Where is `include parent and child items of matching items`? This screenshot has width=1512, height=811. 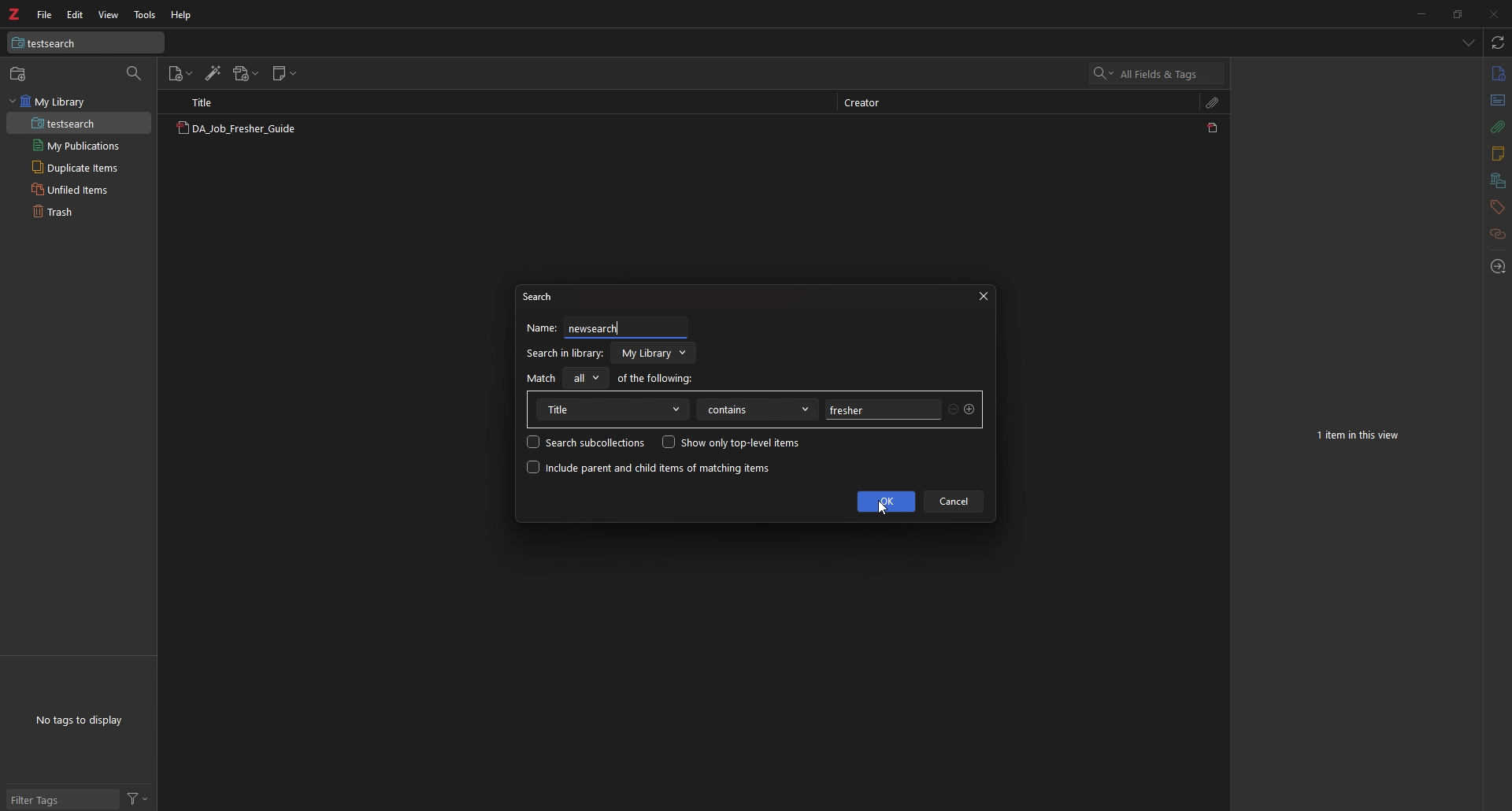 include parent and child items of matching items is located at coordinates (649, 468).